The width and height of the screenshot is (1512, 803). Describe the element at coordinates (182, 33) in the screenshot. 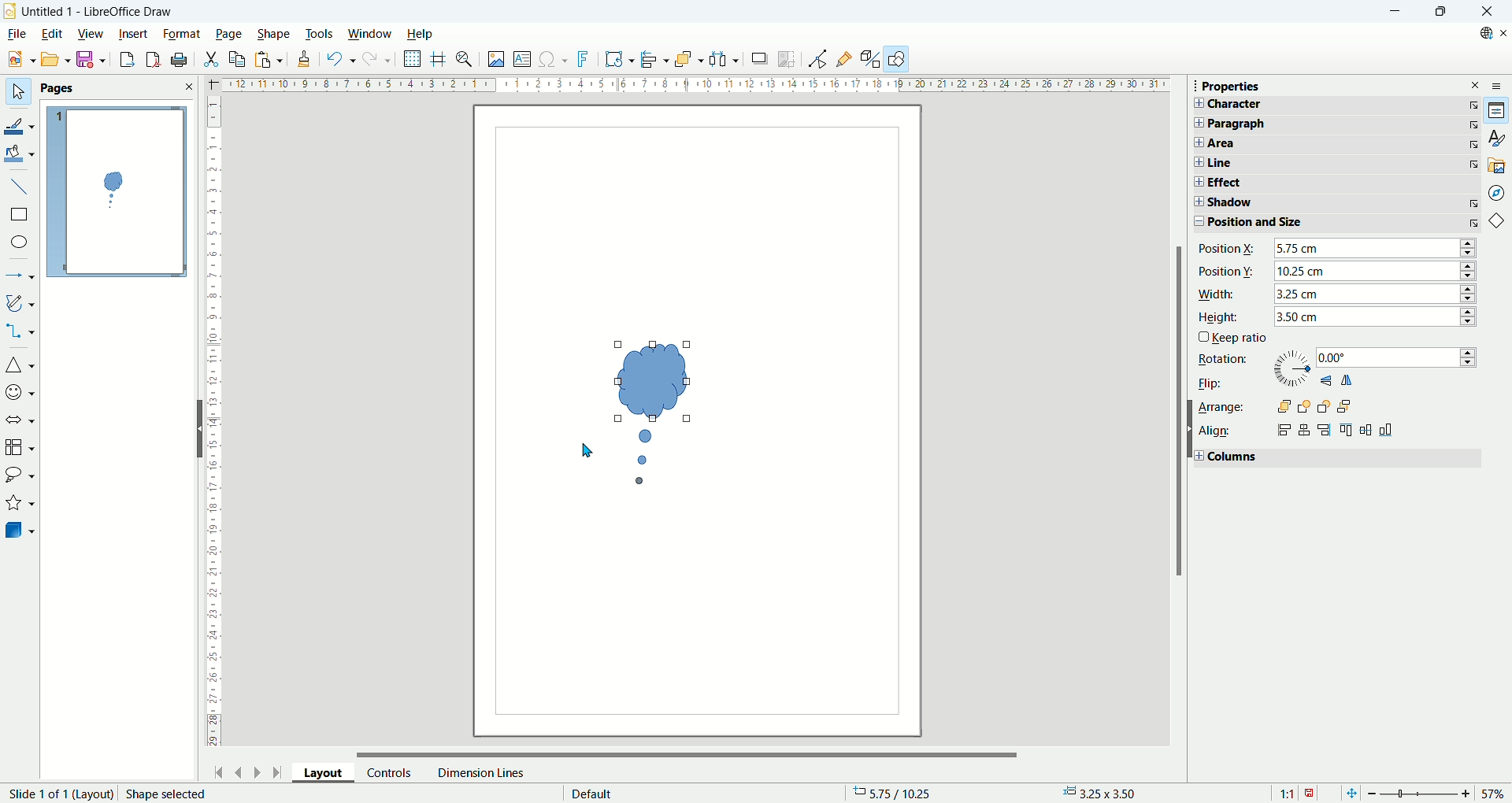

I see `format` at that location.